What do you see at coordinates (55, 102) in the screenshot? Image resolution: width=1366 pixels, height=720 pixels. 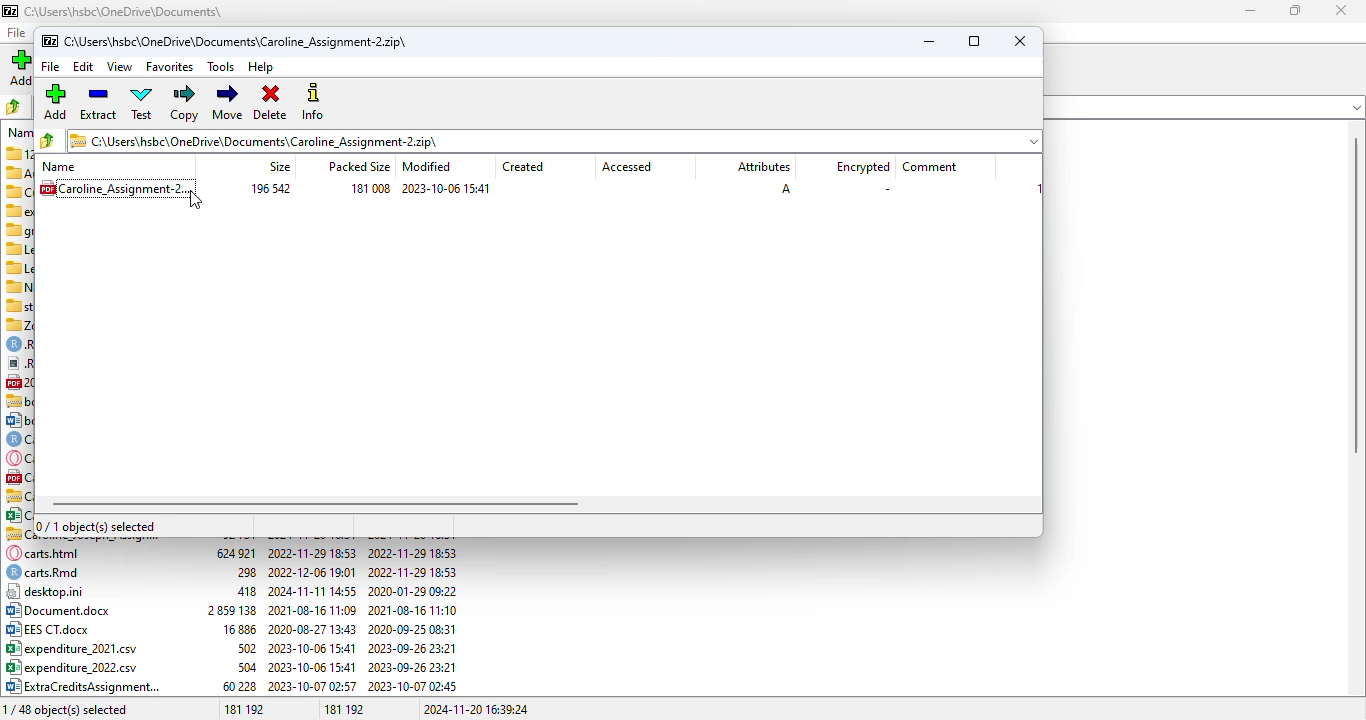 I see `add` at bounding box center [55, 102].